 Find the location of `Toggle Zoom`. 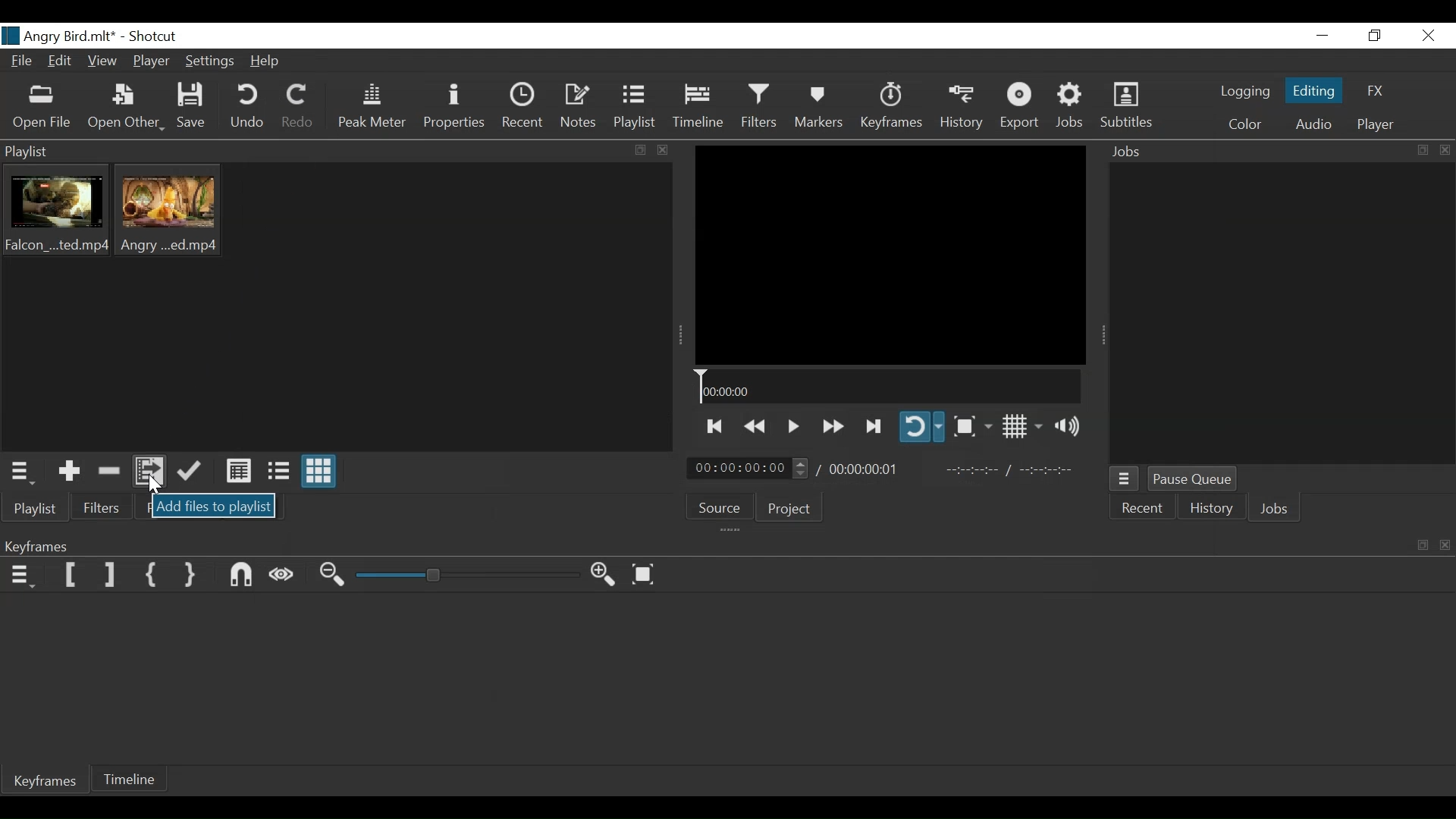

Toggle Zoom is located at coordinates (972, 427).